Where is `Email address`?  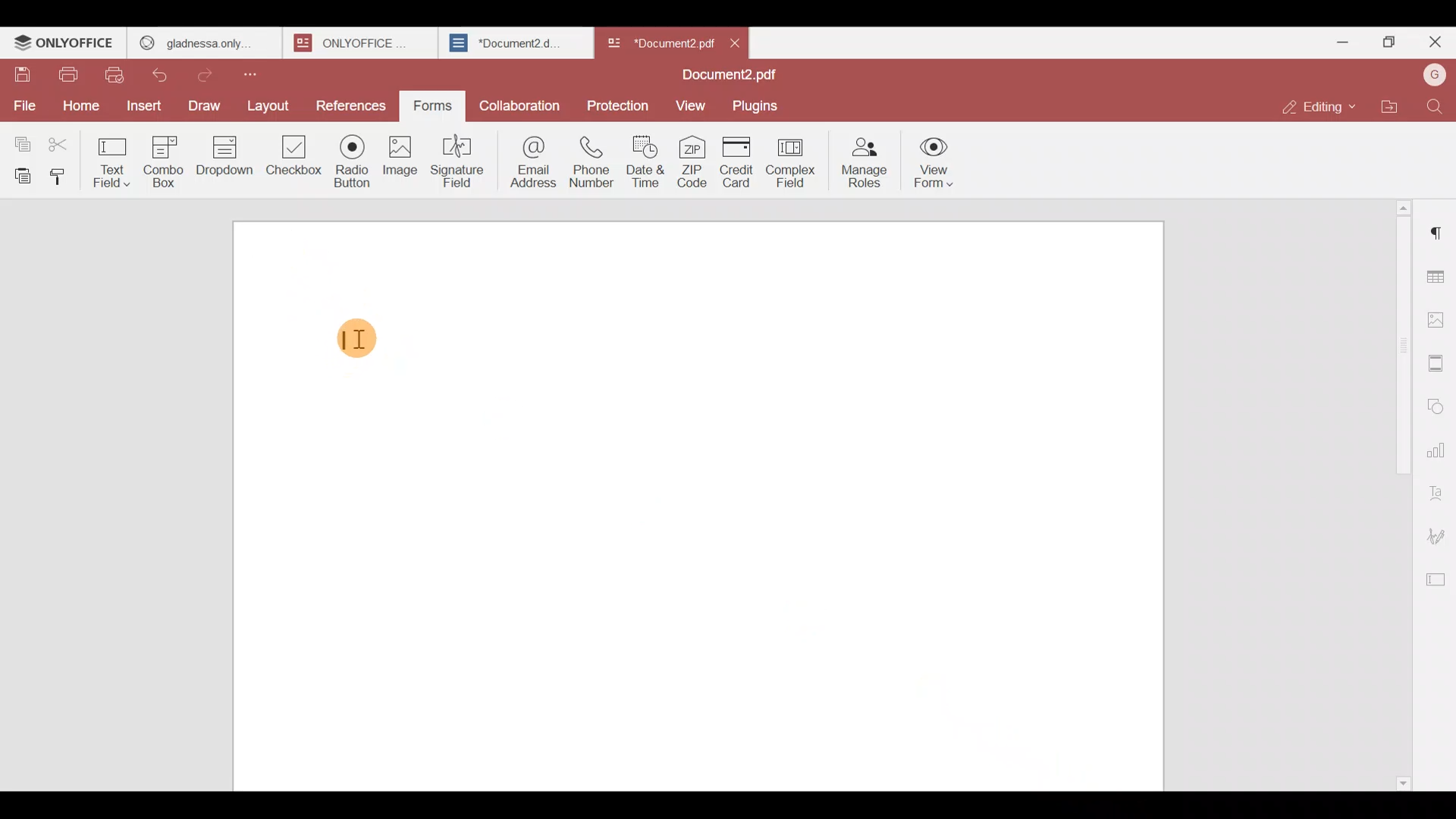
Email address is located at coordinates (531, 160).